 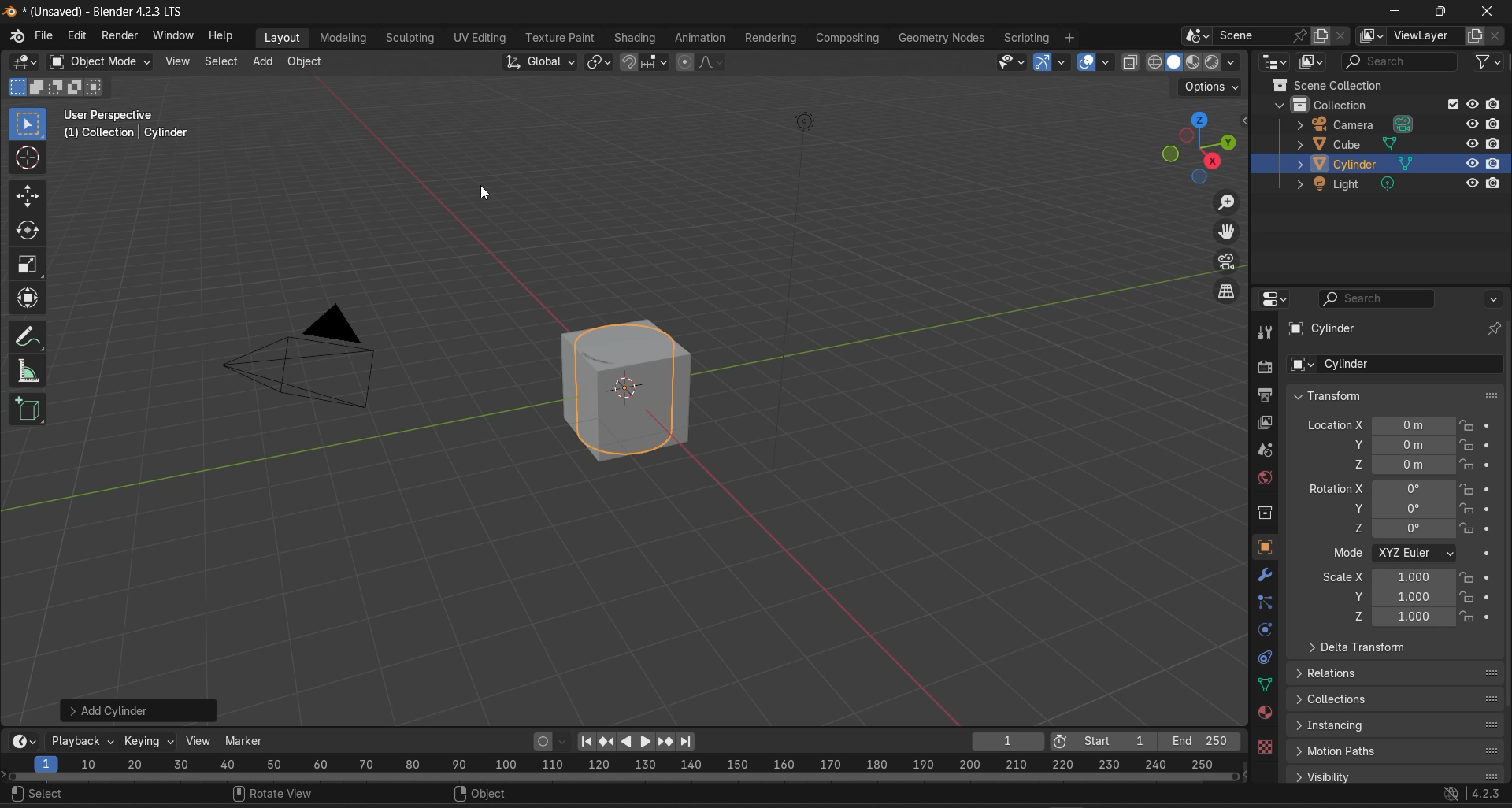 I want to click on object, so click(x=306, y=61).